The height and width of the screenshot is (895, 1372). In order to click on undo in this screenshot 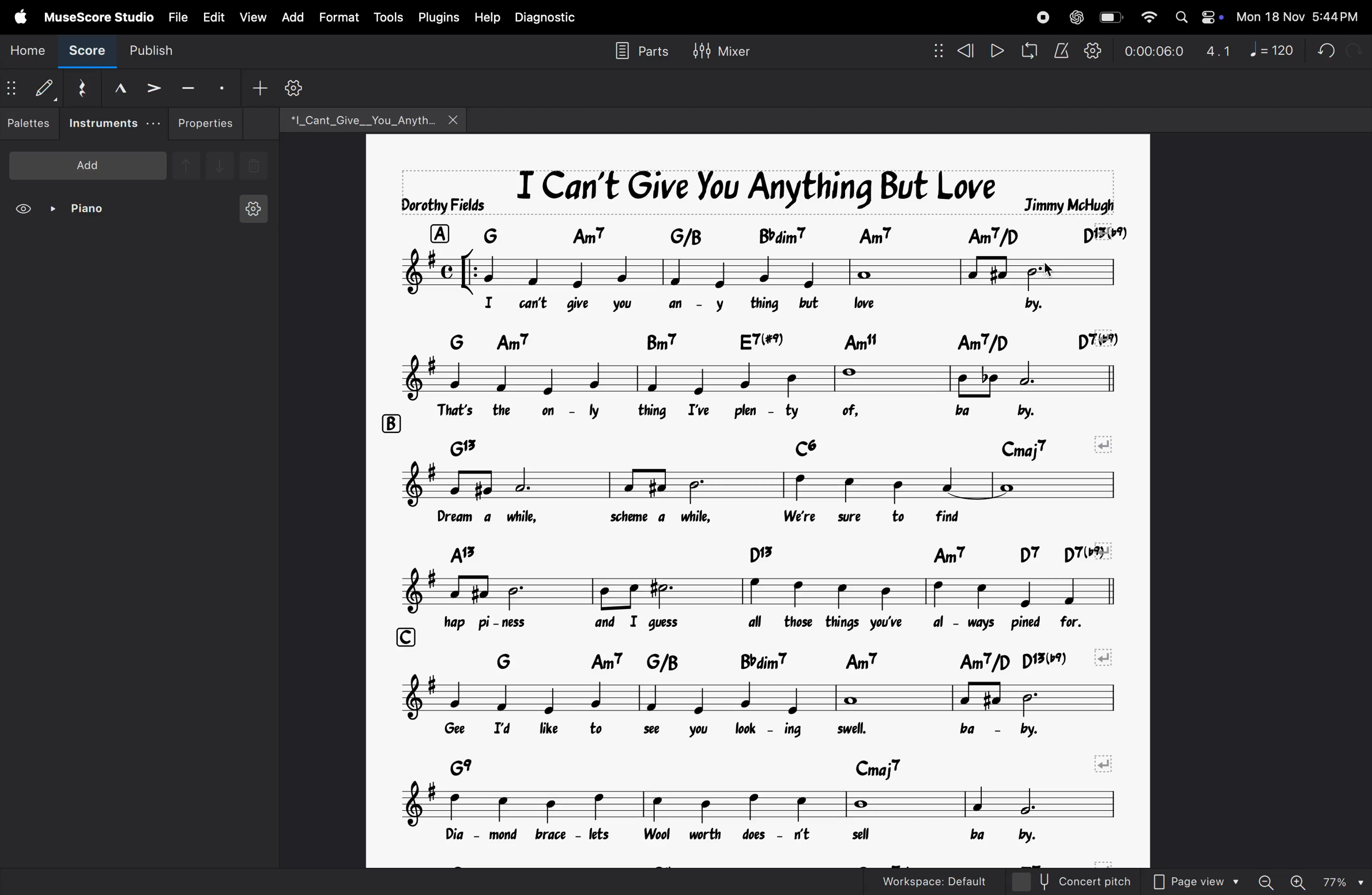, I will do `click(1322, 48)`.